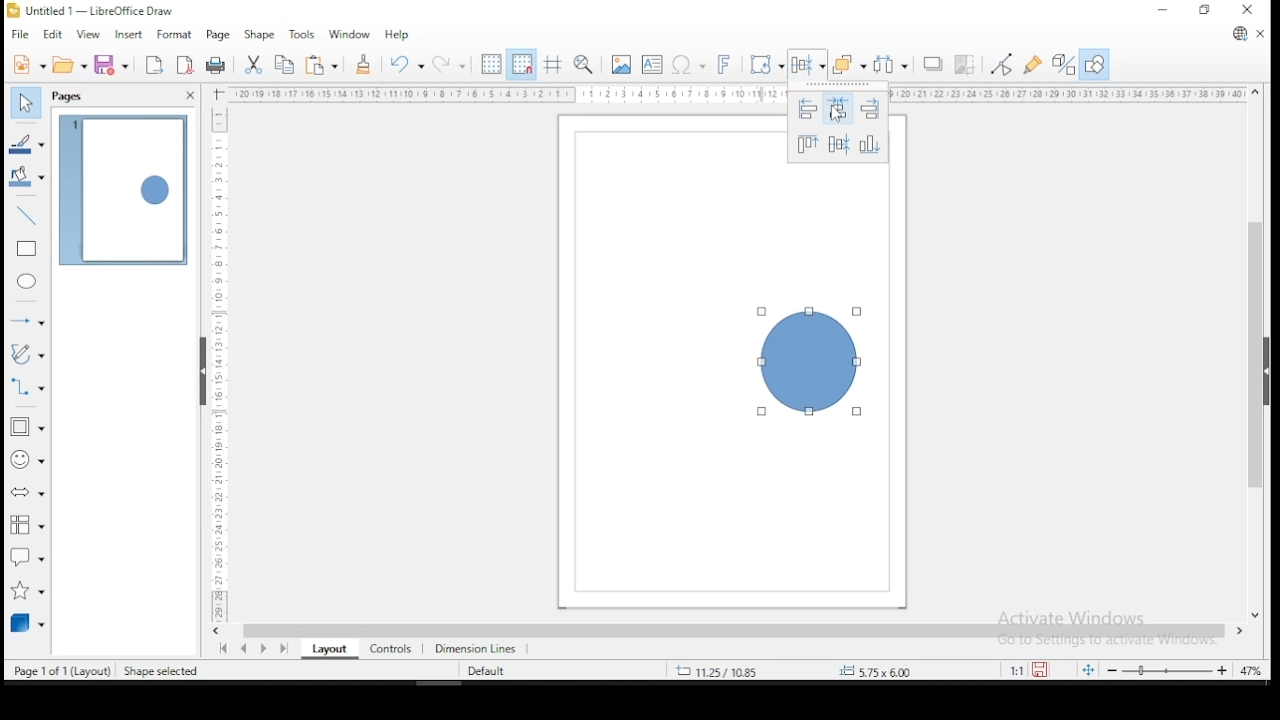  What do you see at coordinates (163, 672) in the screenshot?
I see `shape selected` at bounding box center [163, 672].